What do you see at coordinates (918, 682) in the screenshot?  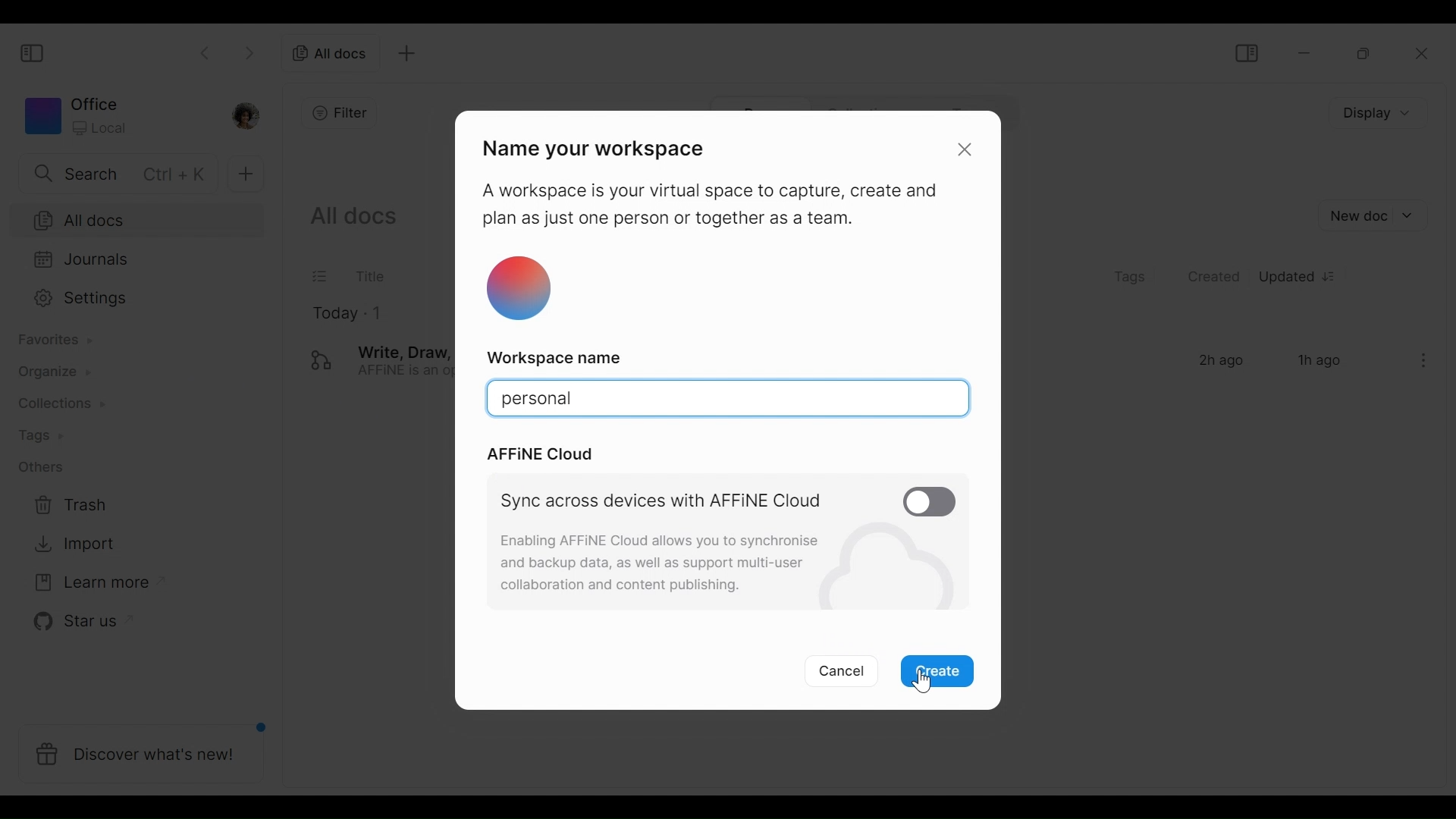 I see `Cursor` at bounding box center [918, 682].